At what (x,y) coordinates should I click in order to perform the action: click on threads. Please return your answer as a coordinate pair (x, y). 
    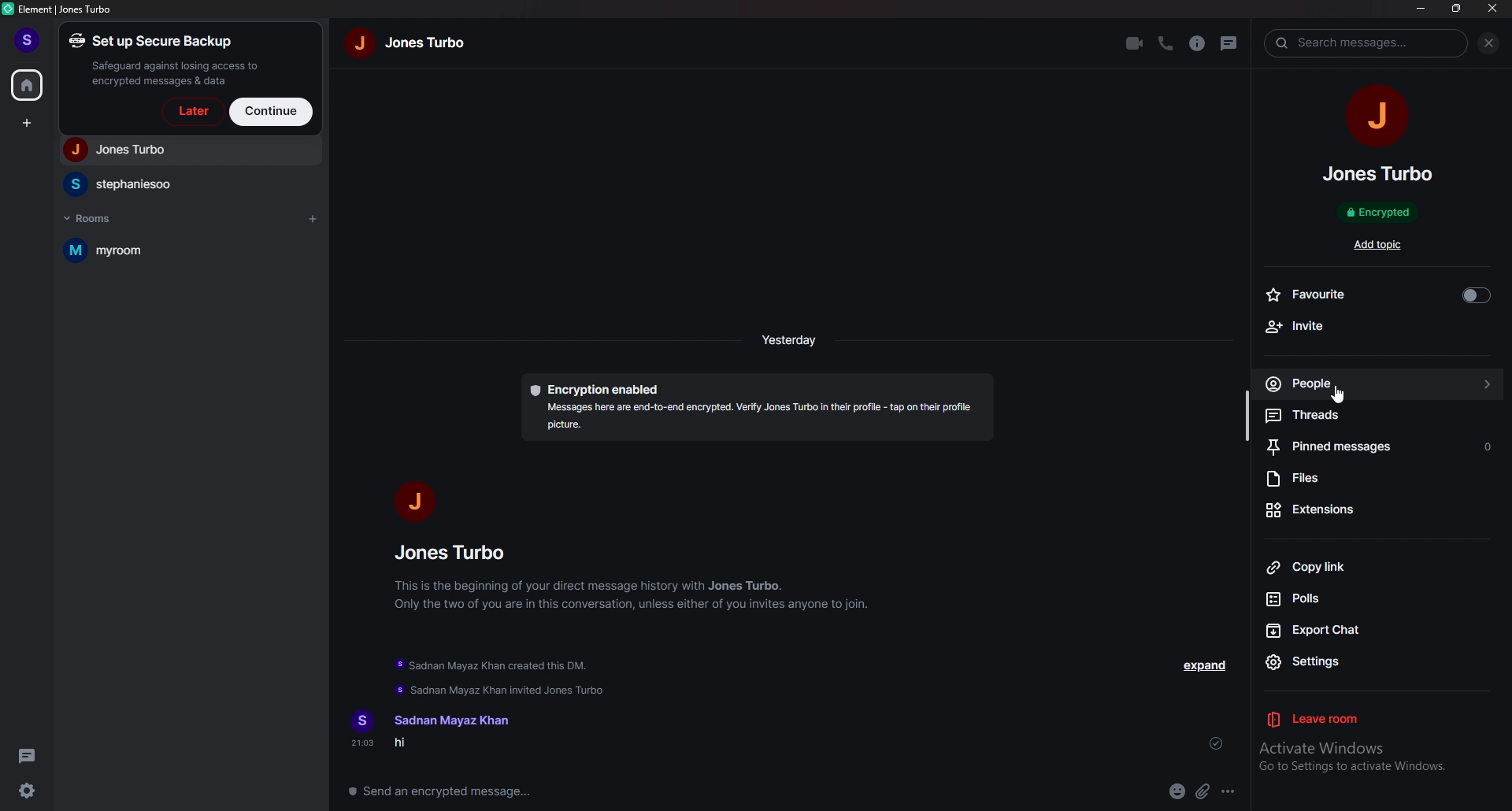
    Looking at the image, I should click on (1230, 43).